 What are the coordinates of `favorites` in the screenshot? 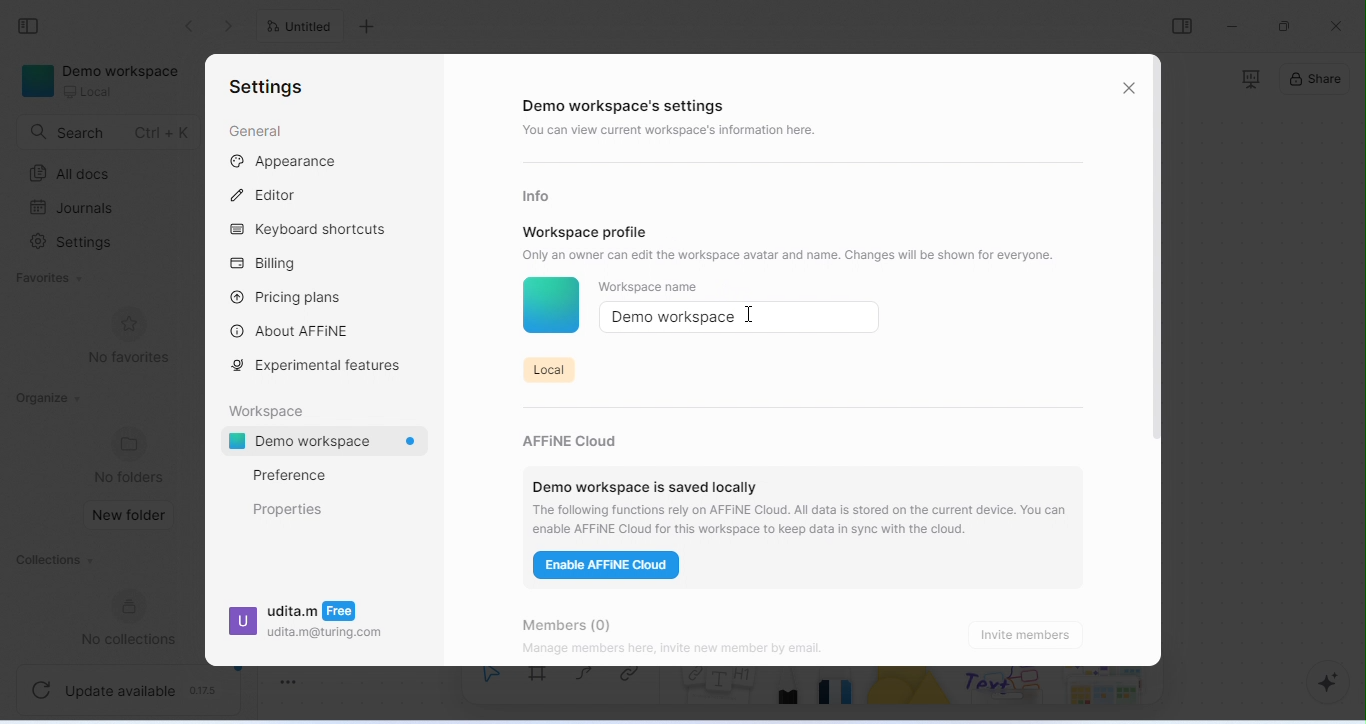 It's located at (53, 279).